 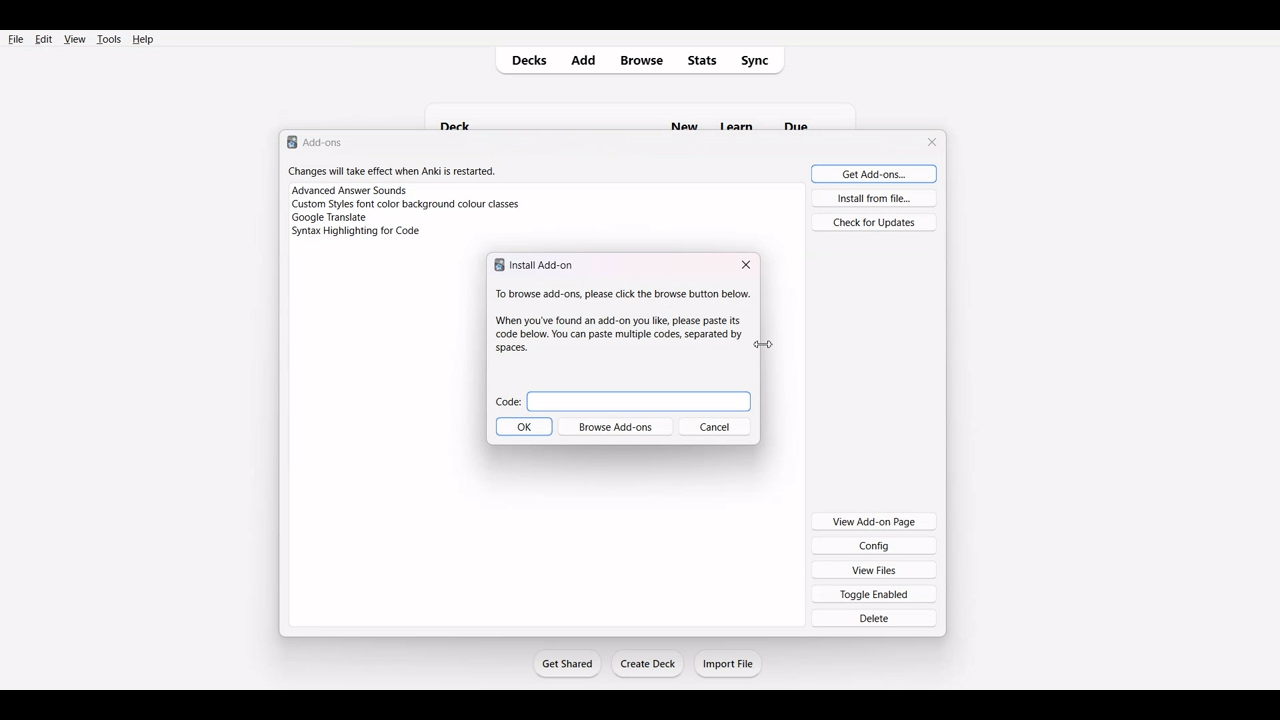 What do you see at coordinates (566, 663) in the screenshot?
I see `Get Started` at bounding box center [566, 663].